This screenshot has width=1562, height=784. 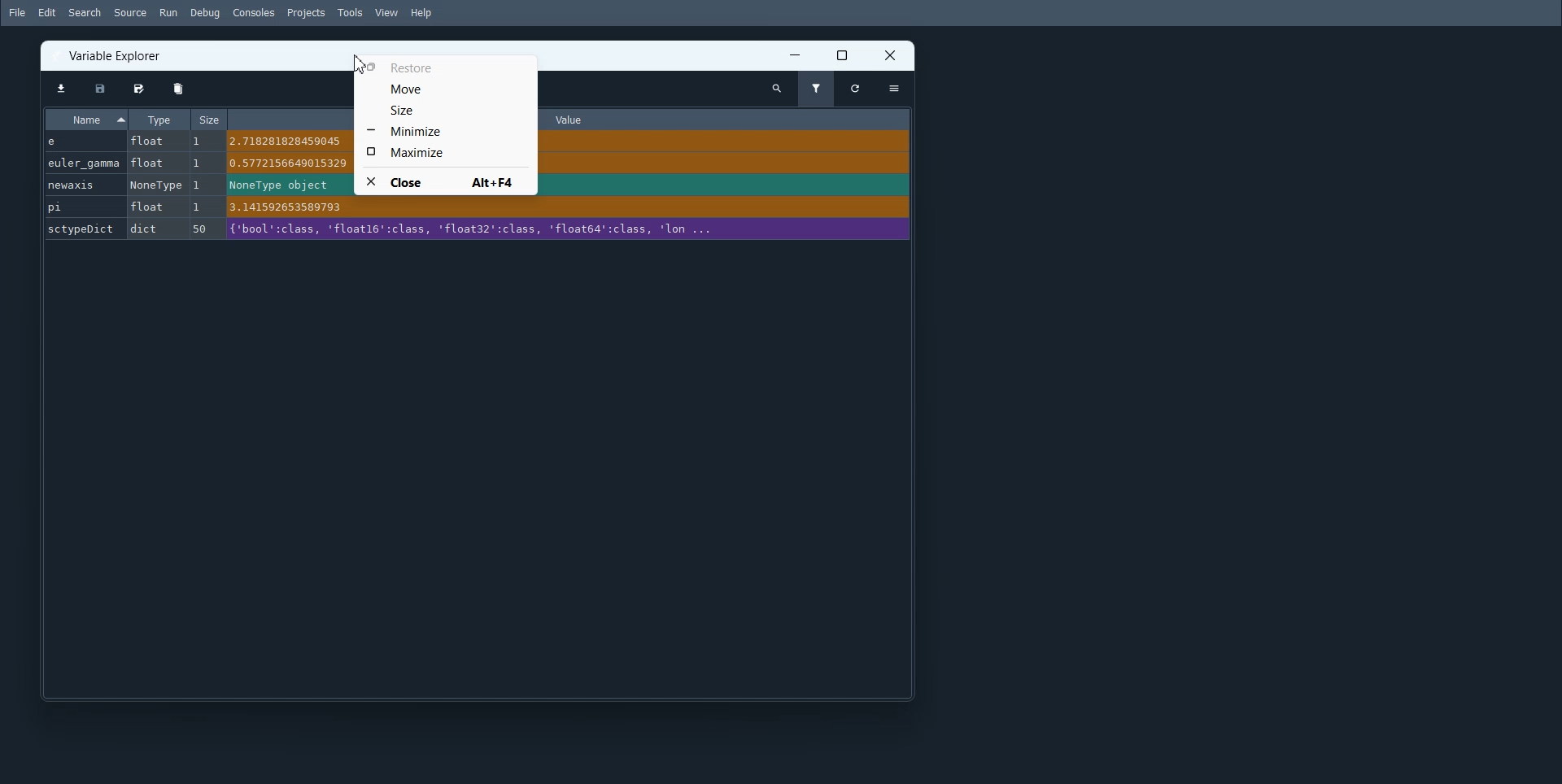 I want to click on float, so click(x=148, y=142).